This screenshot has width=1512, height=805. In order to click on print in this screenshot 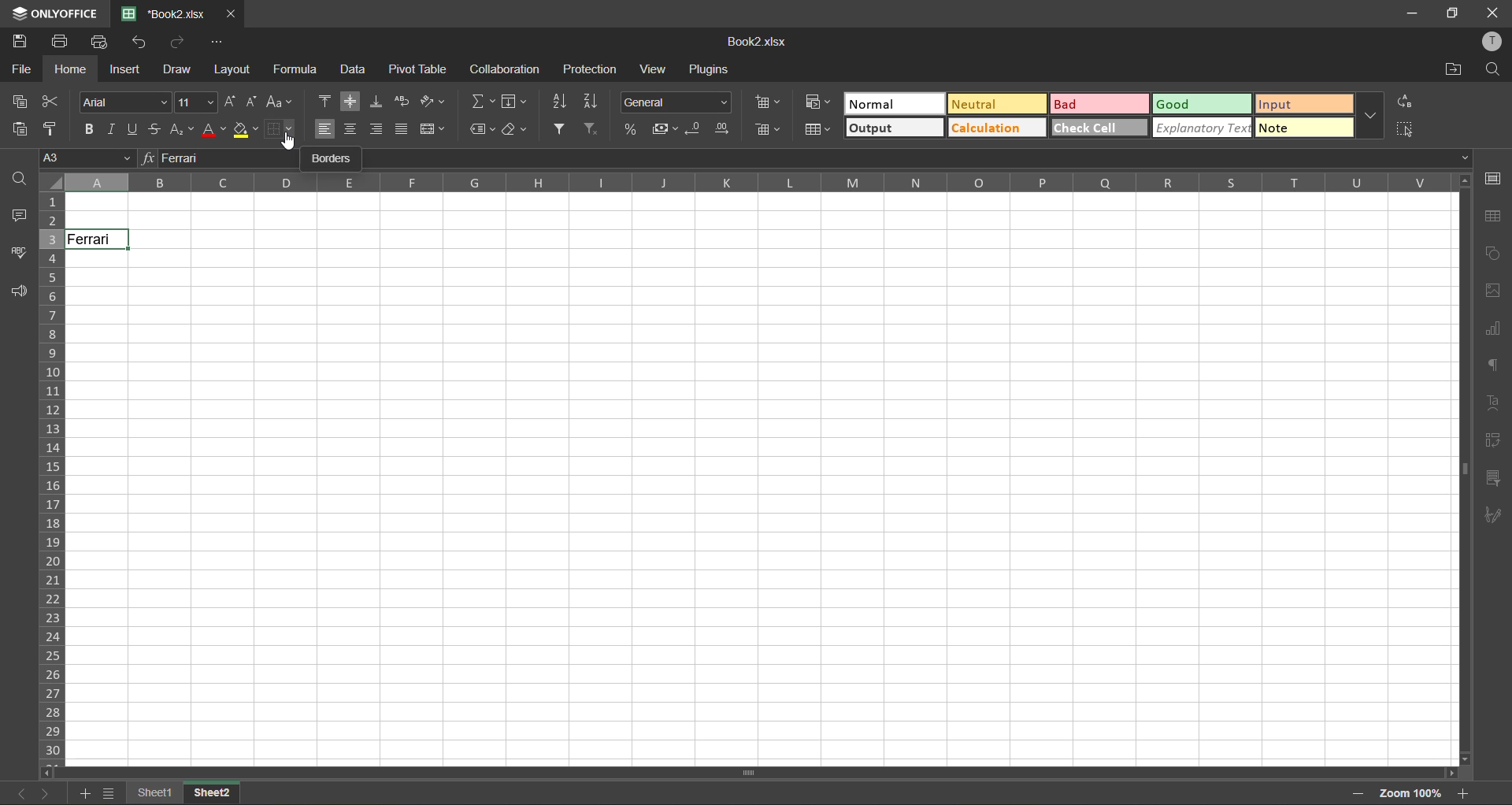, I will do `click(61, 39)`.